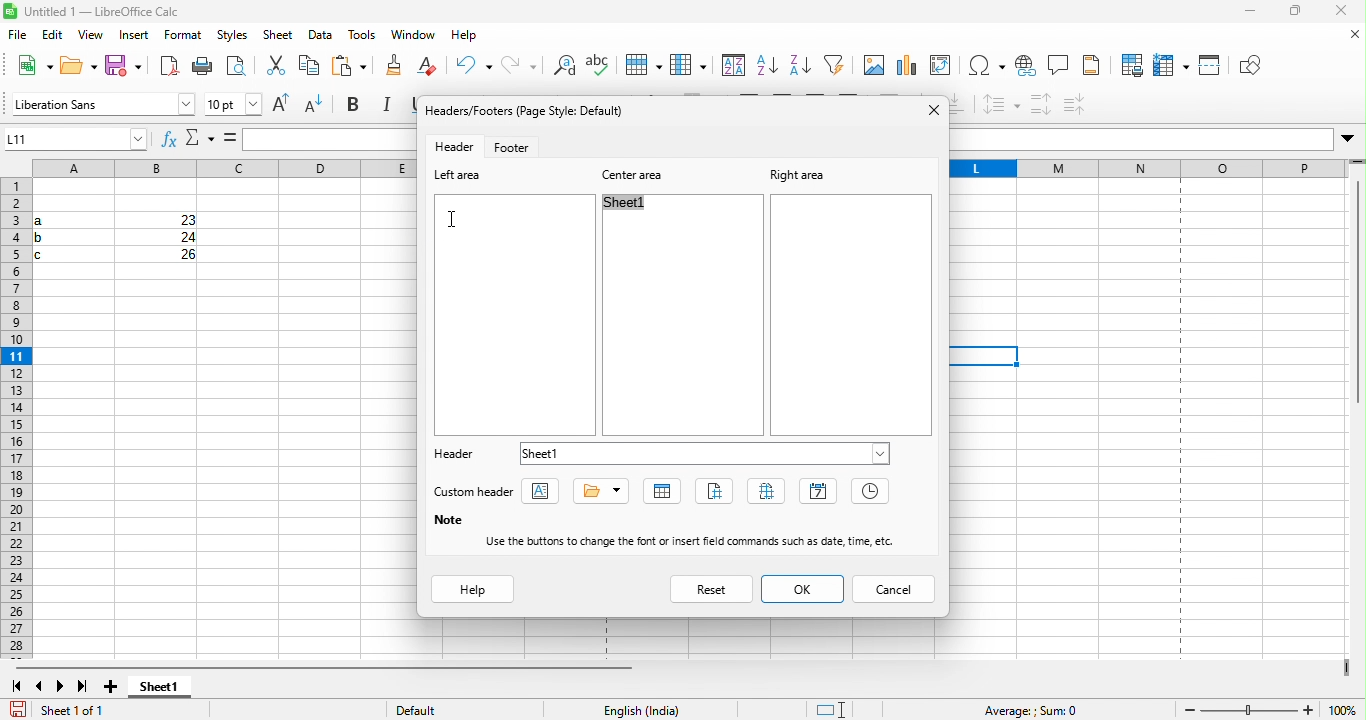 The image size is (1366, 720). I want to click on next sheet, so click(61, 683).